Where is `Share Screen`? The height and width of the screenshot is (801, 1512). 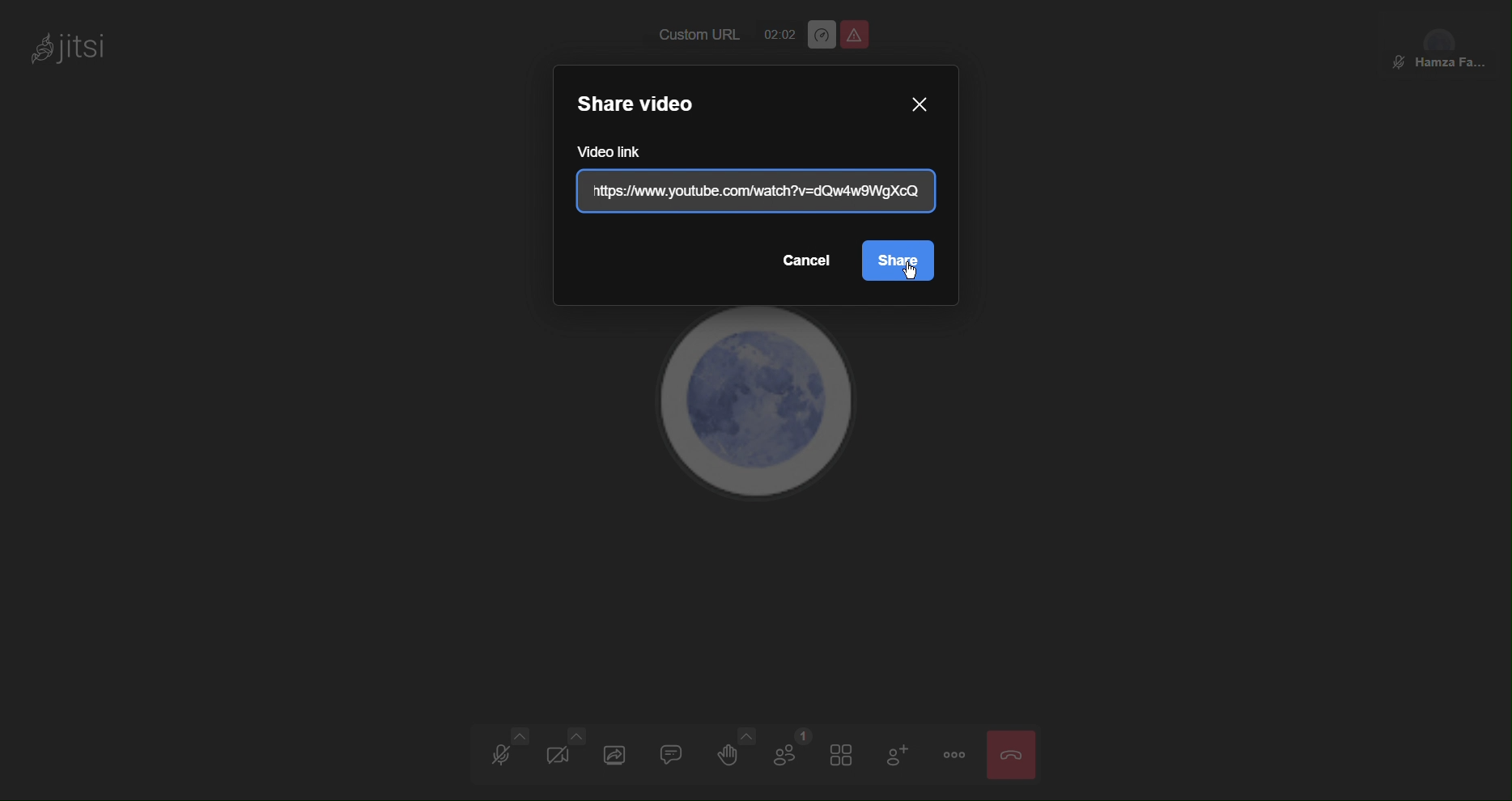 Share Screen is located at coordinates (617, 755).